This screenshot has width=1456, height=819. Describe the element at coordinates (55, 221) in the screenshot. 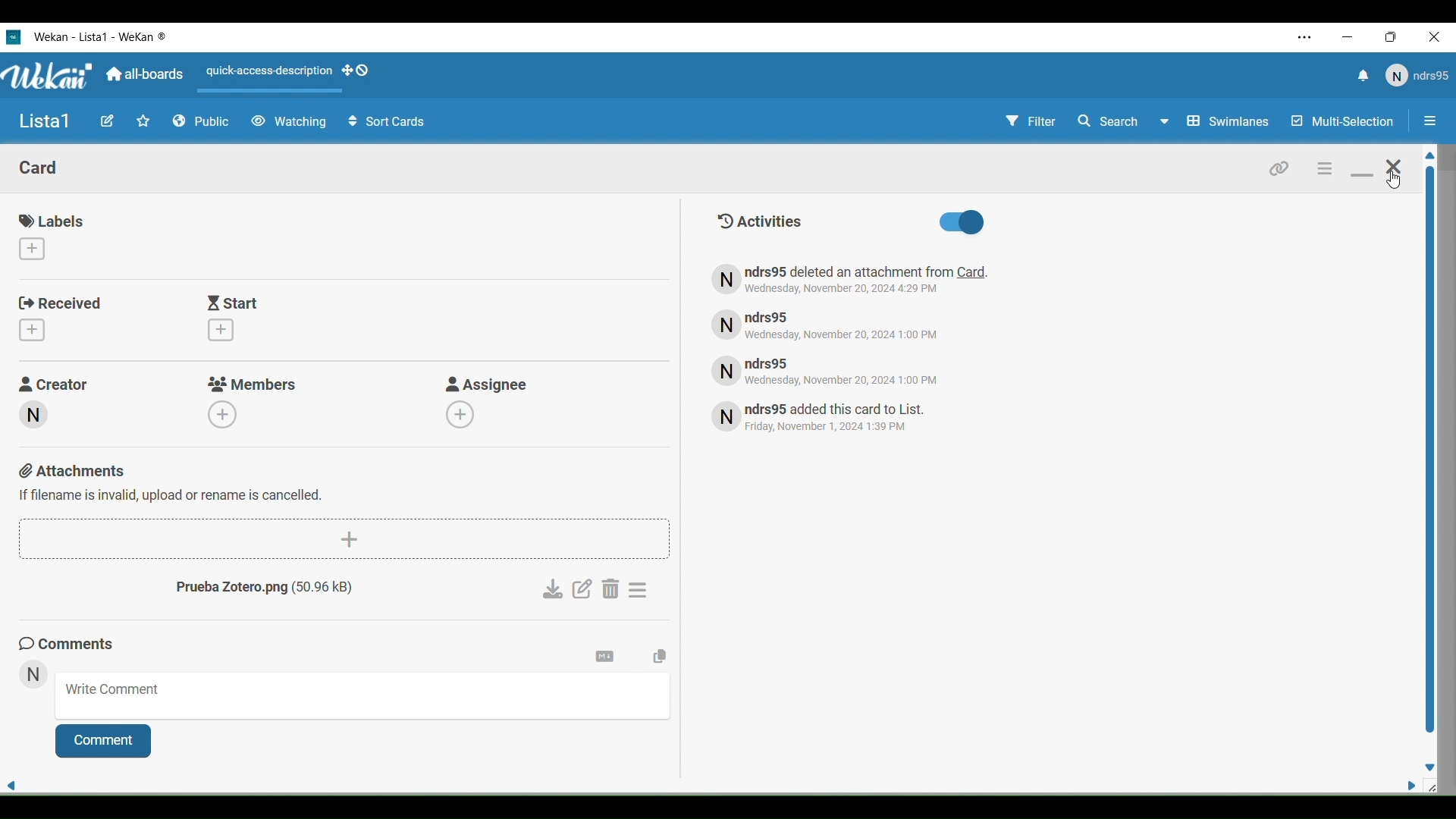

I see `Labels` at that location.